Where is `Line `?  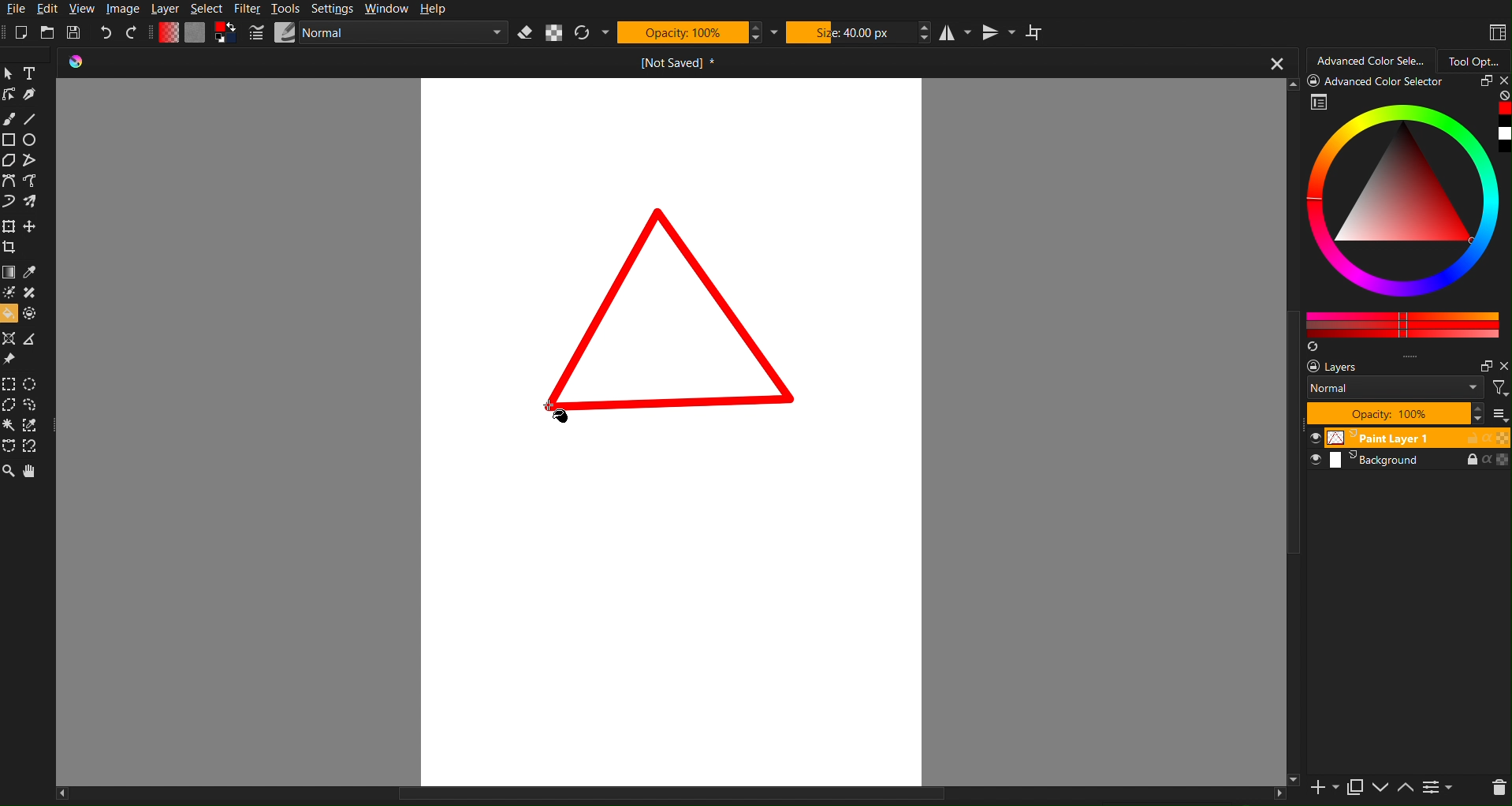 Line  is located at coordinates (31, 118).